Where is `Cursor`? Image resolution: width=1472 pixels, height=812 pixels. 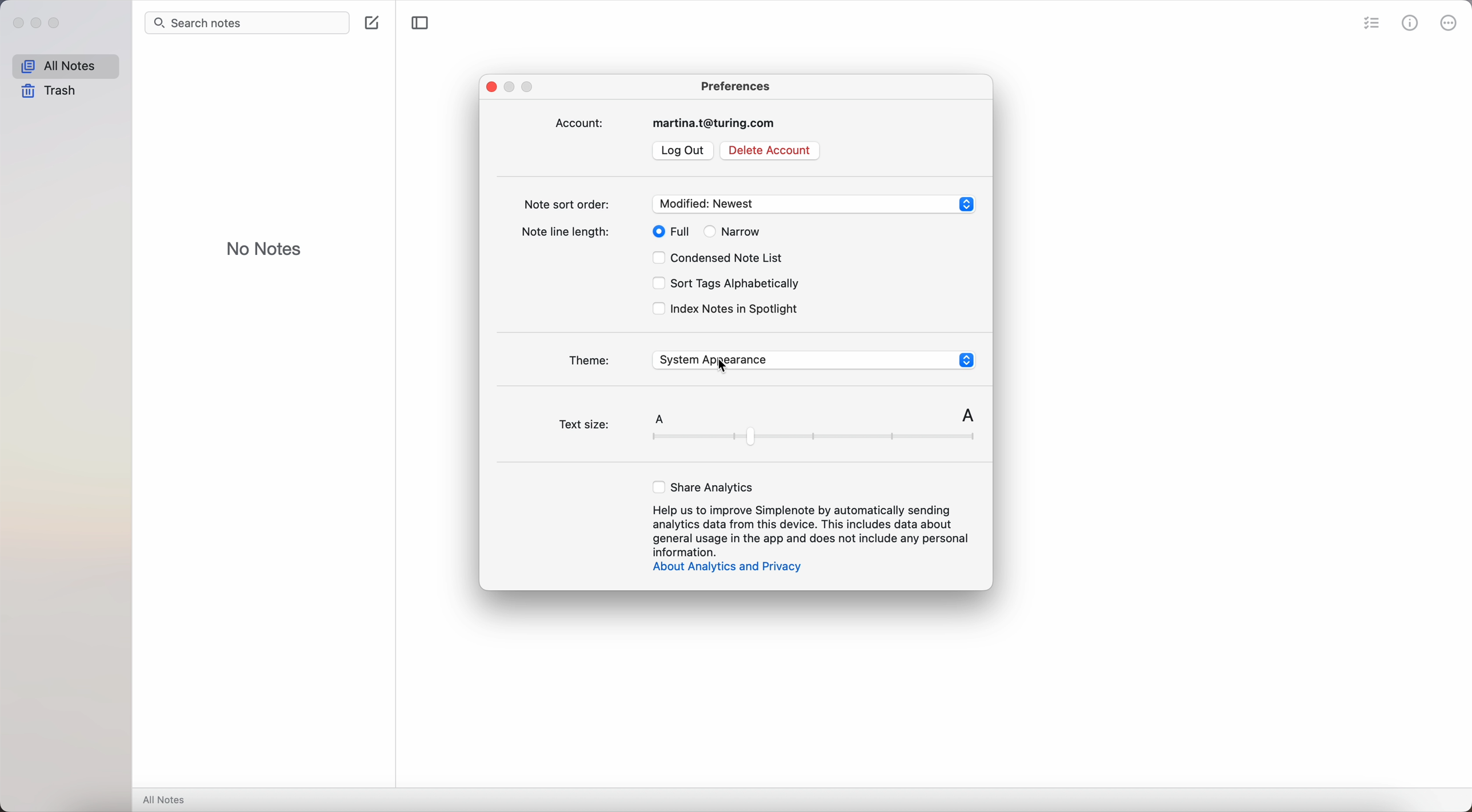 Cursor is located at coordinates (725, 369).